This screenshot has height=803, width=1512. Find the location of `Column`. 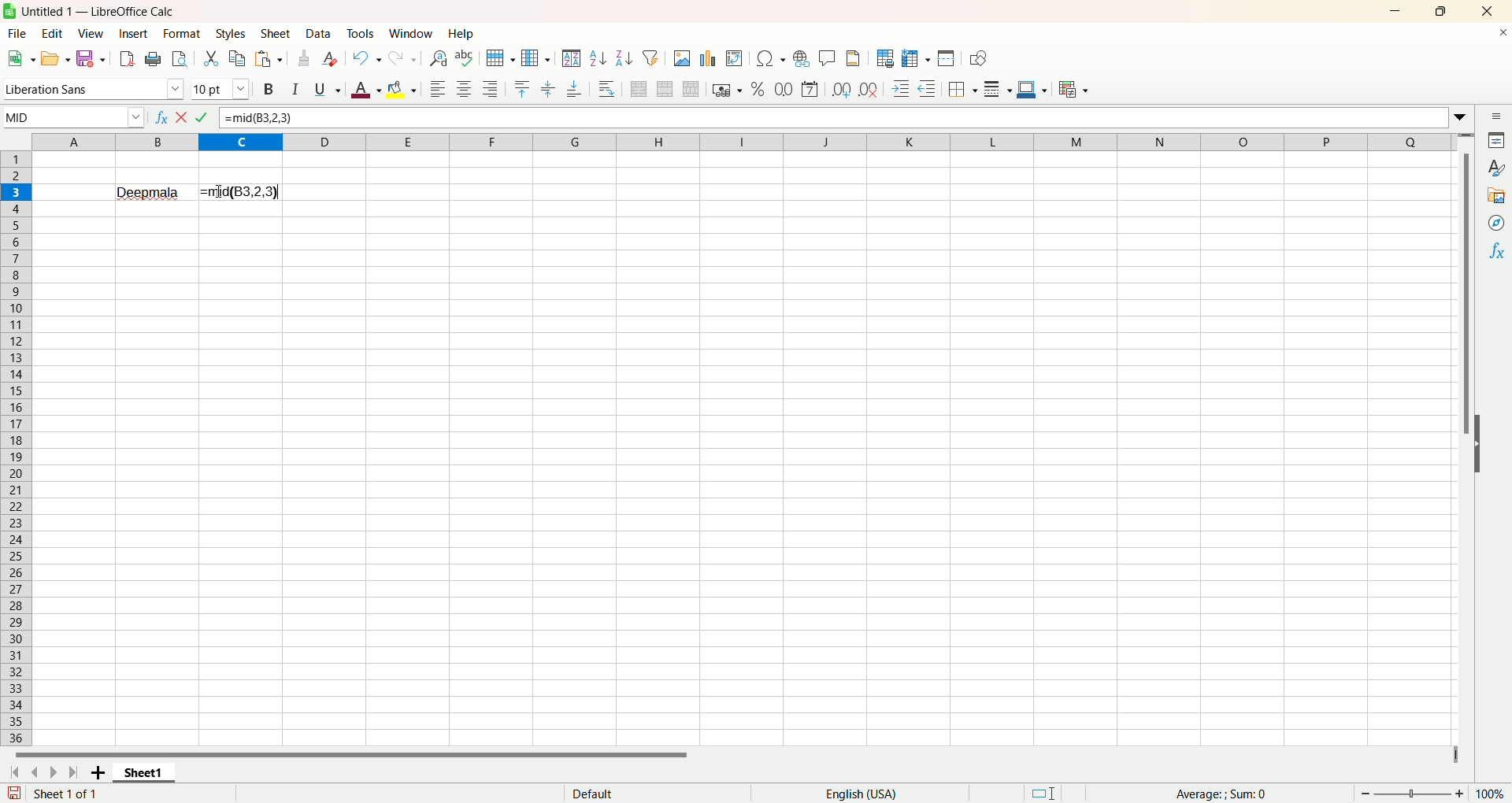

Column is located at coordinates (744, 141).